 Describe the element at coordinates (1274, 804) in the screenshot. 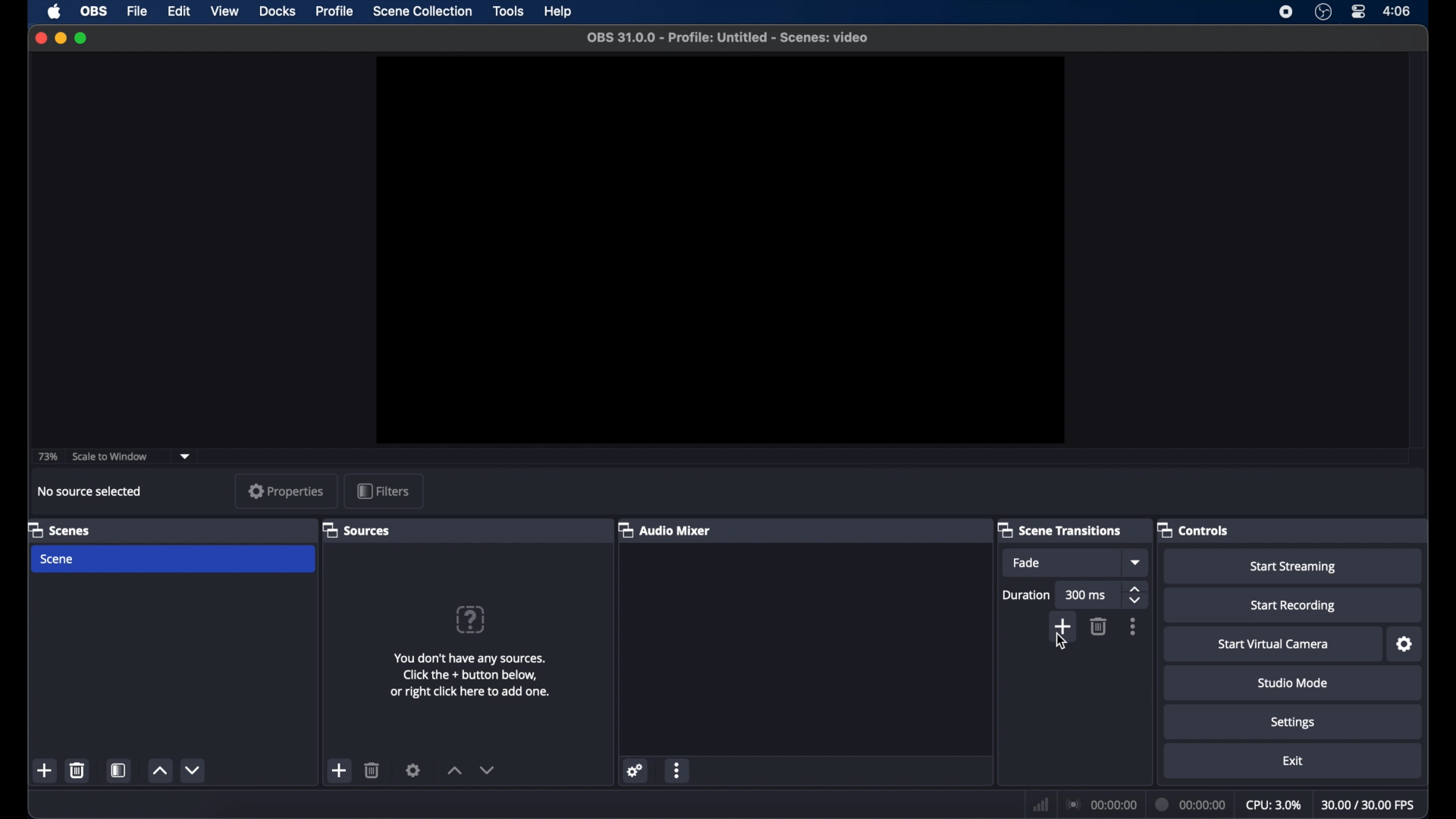

I see `cpu` at that location.